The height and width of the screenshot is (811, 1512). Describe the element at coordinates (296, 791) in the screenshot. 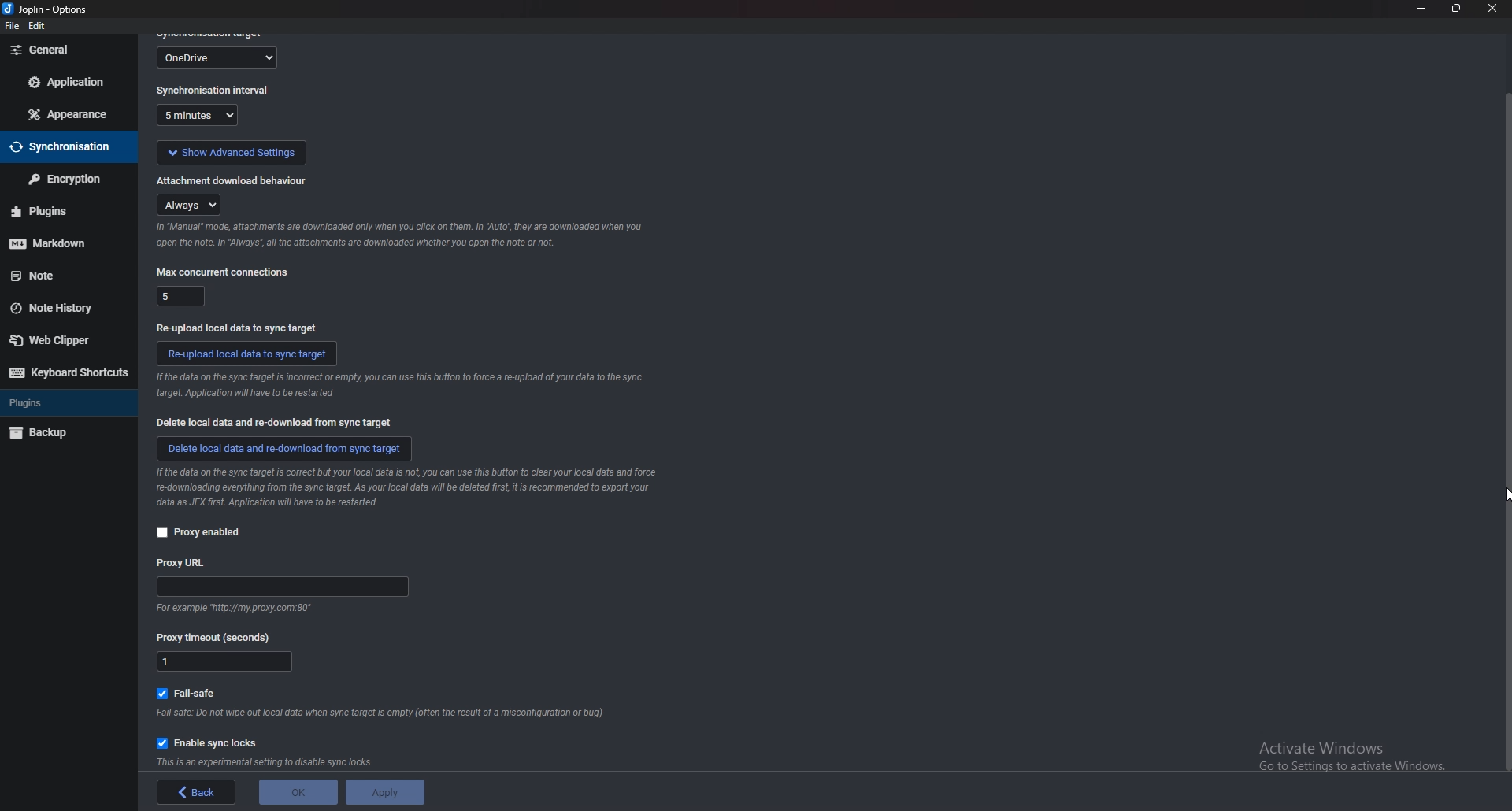

I see `ok` at that location.